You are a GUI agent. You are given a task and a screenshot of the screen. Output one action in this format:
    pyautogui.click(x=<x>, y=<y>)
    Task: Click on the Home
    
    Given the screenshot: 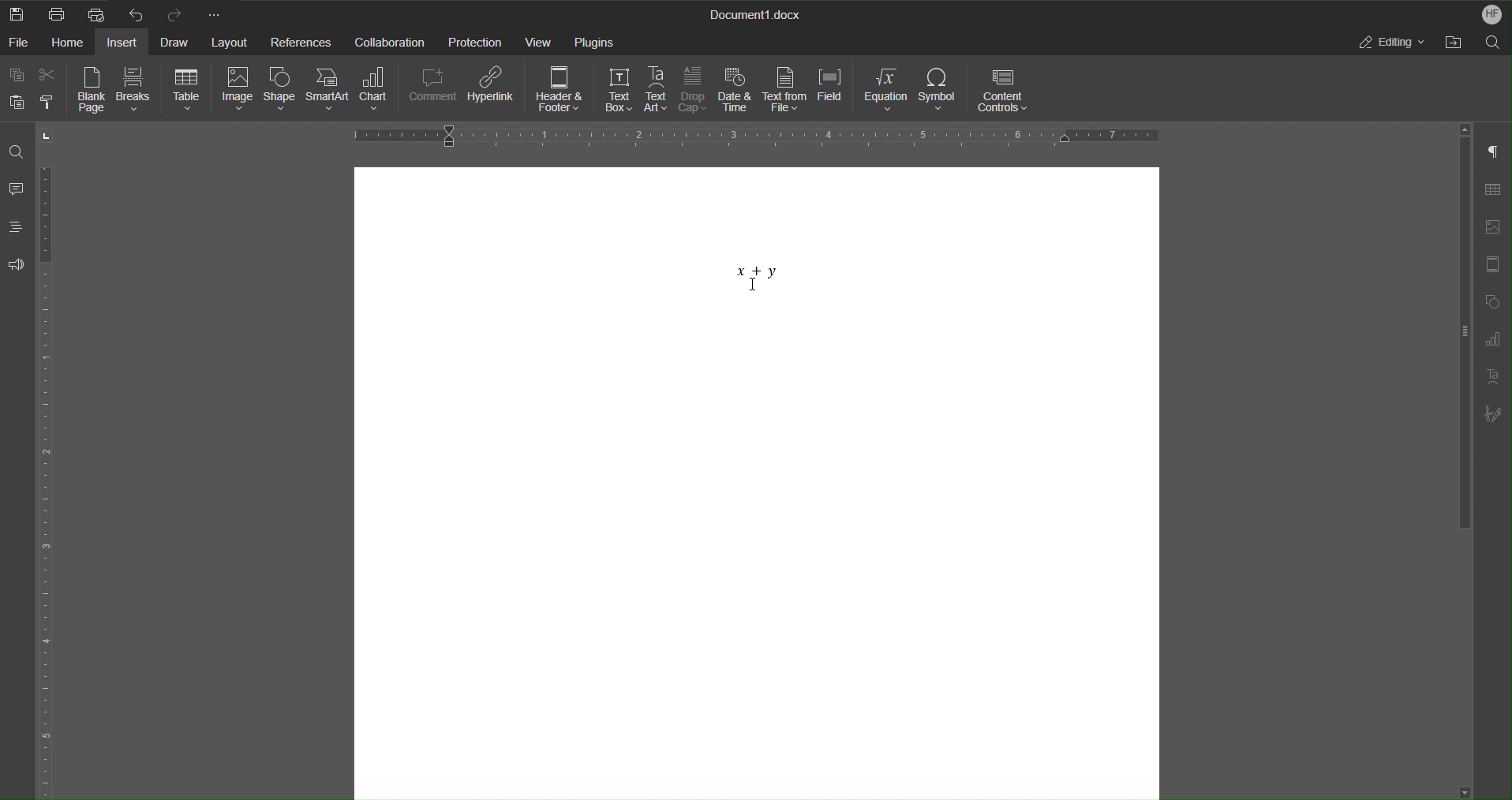 What is the action you would take?
    pyautogui.click(x=69, y=43)
    